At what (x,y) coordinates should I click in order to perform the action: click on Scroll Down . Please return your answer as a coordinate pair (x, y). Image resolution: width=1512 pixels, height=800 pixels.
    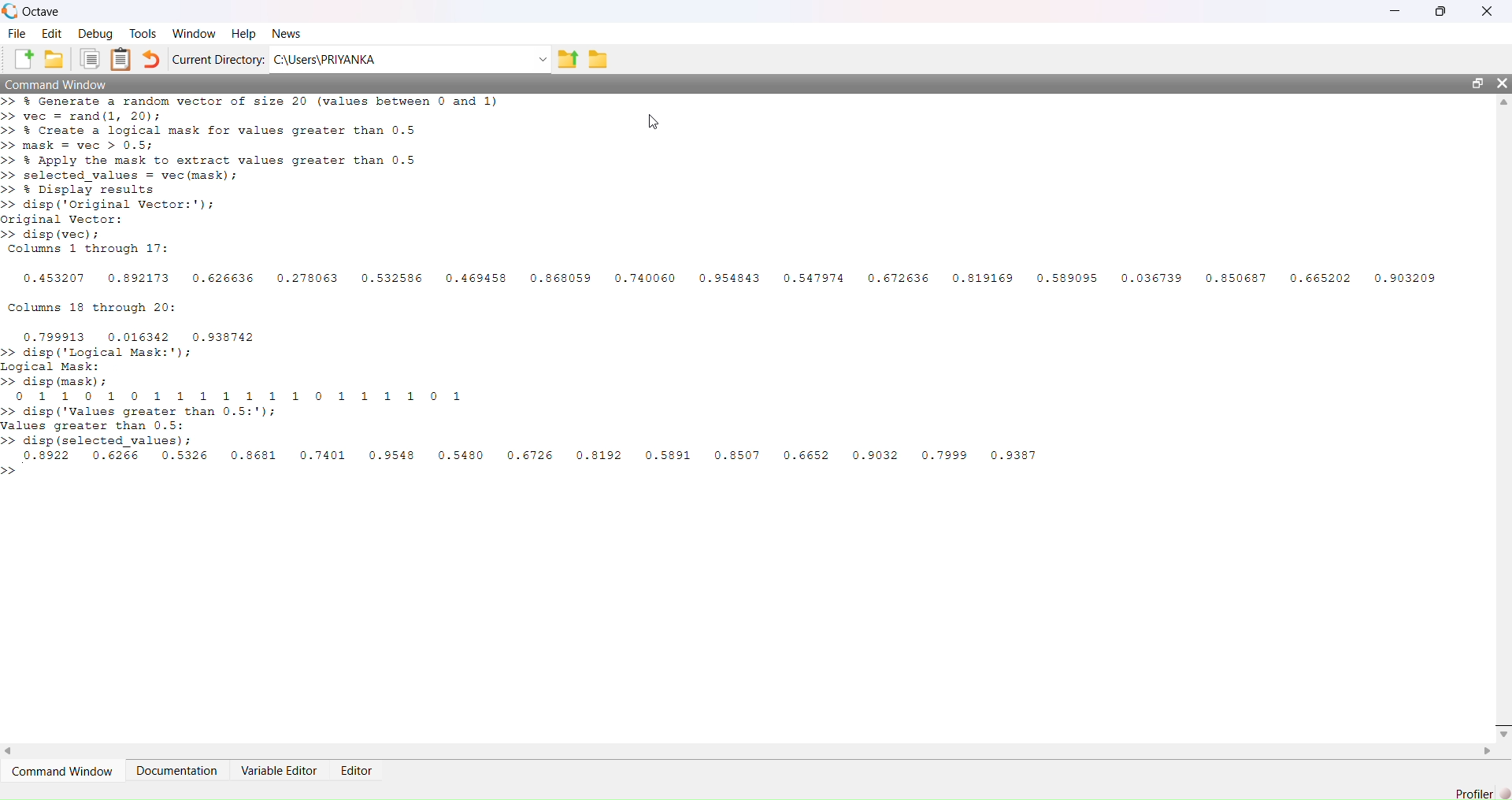
    Looking at the image, I should click on (1503, 733).